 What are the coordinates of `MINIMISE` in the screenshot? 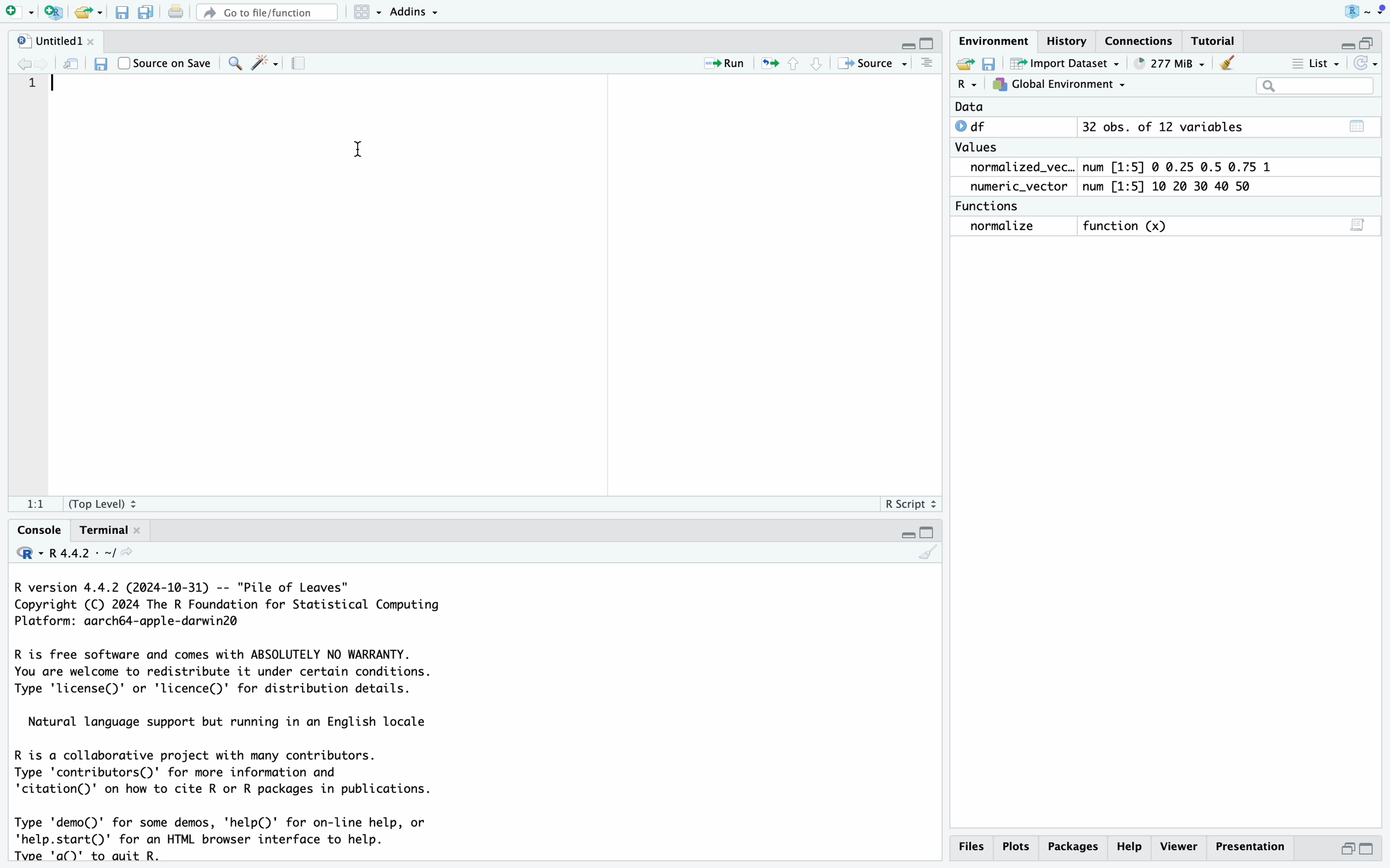 It's located at (905, 532).